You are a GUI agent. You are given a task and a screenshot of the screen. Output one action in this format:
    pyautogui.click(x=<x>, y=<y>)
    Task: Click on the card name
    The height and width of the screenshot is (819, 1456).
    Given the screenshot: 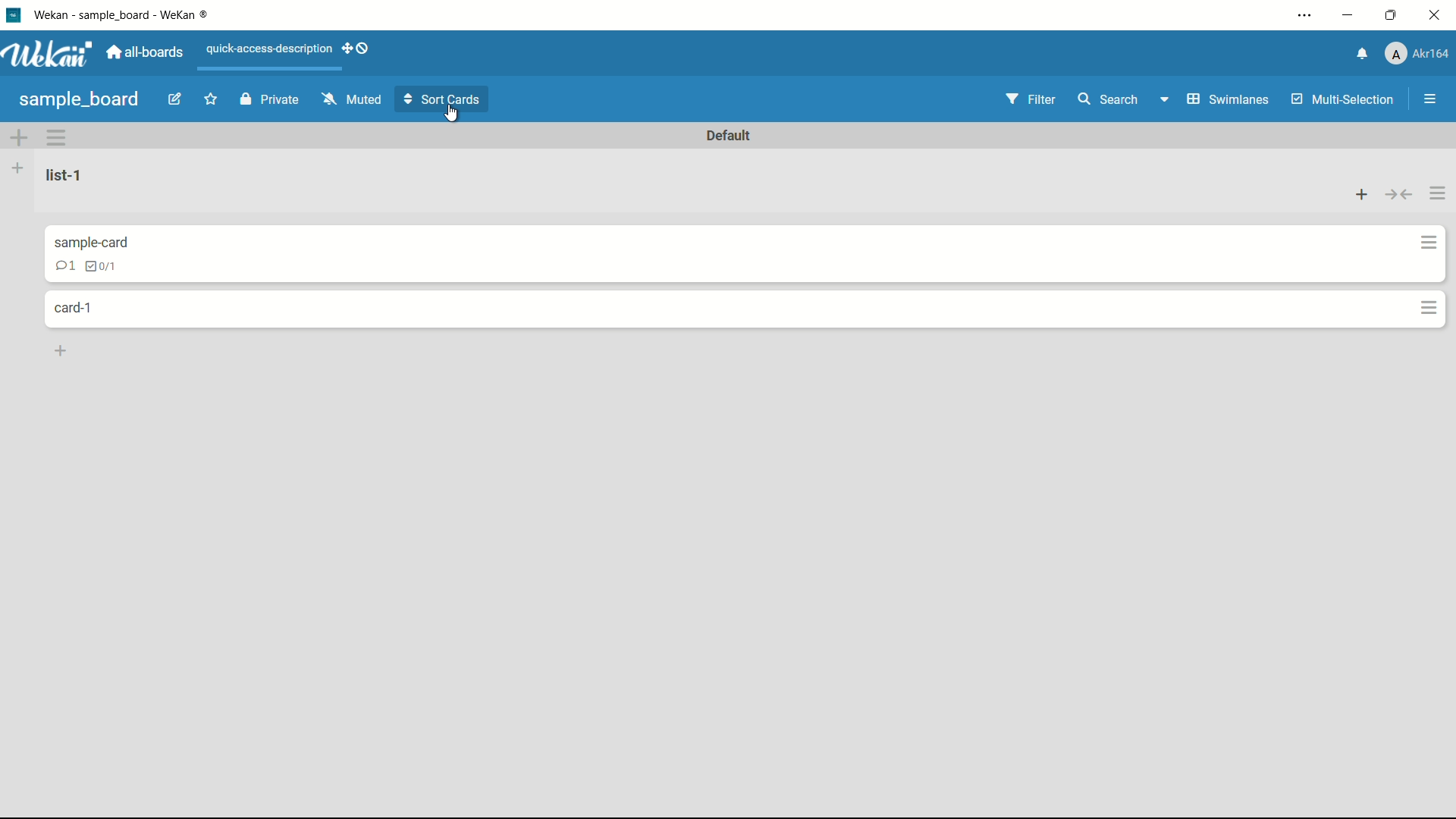 What is the action you would take?
    pyautogui.click(x=79, y=308)
    